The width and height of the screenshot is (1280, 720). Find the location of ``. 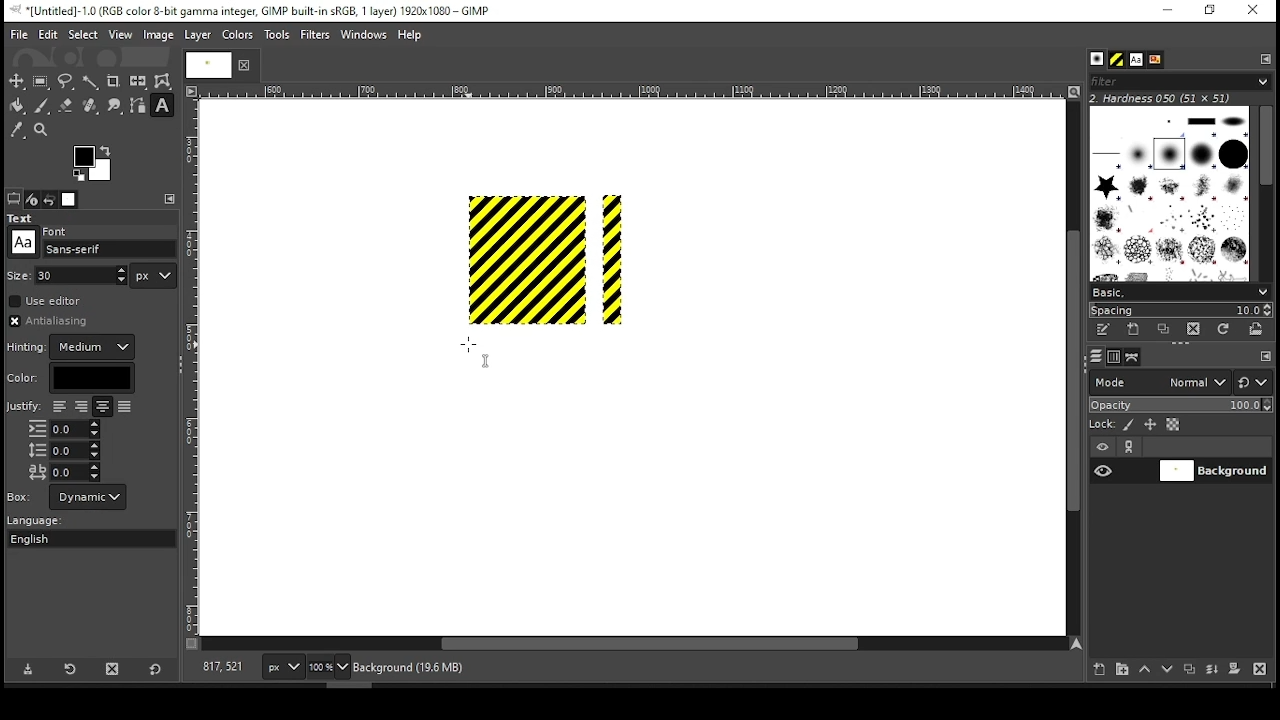

 is located at coordinates (193, 367).